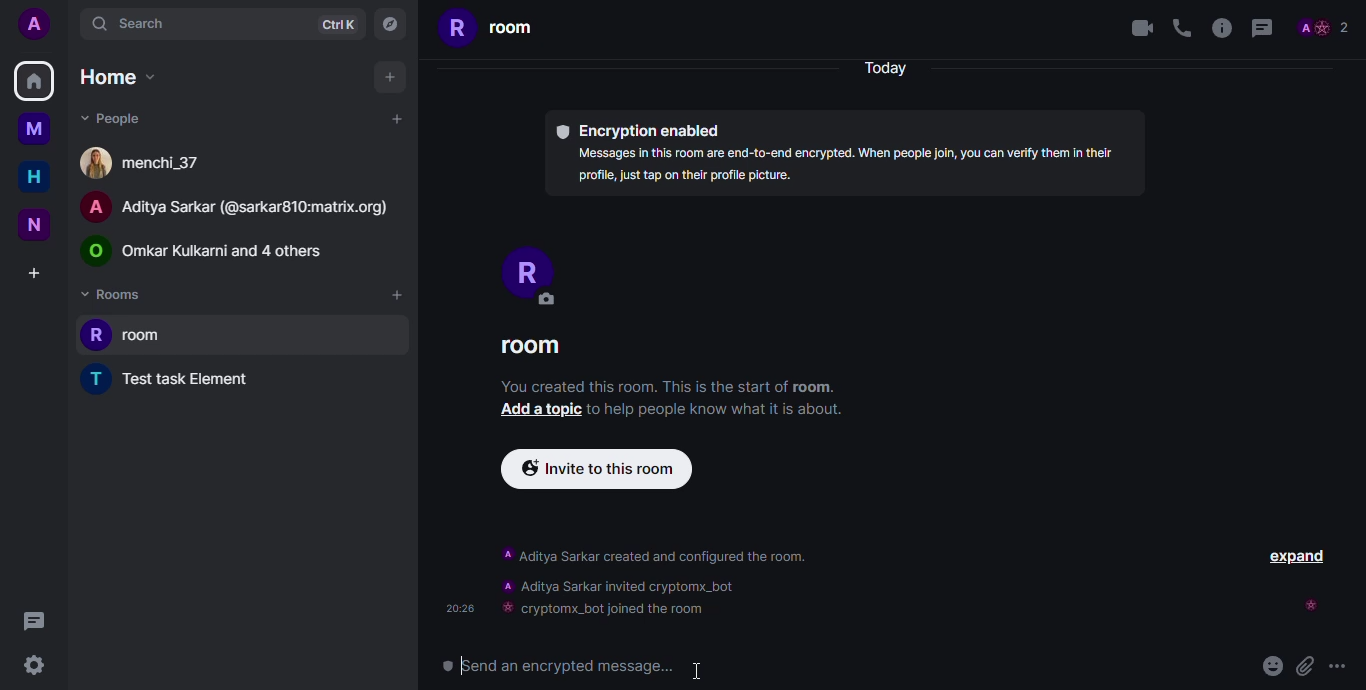 The width and height of the screenshot is (1366, 690). What do you see at coordinates (492, 33) in the screenshot?
I see `R room` at bounding box center [492, 33].